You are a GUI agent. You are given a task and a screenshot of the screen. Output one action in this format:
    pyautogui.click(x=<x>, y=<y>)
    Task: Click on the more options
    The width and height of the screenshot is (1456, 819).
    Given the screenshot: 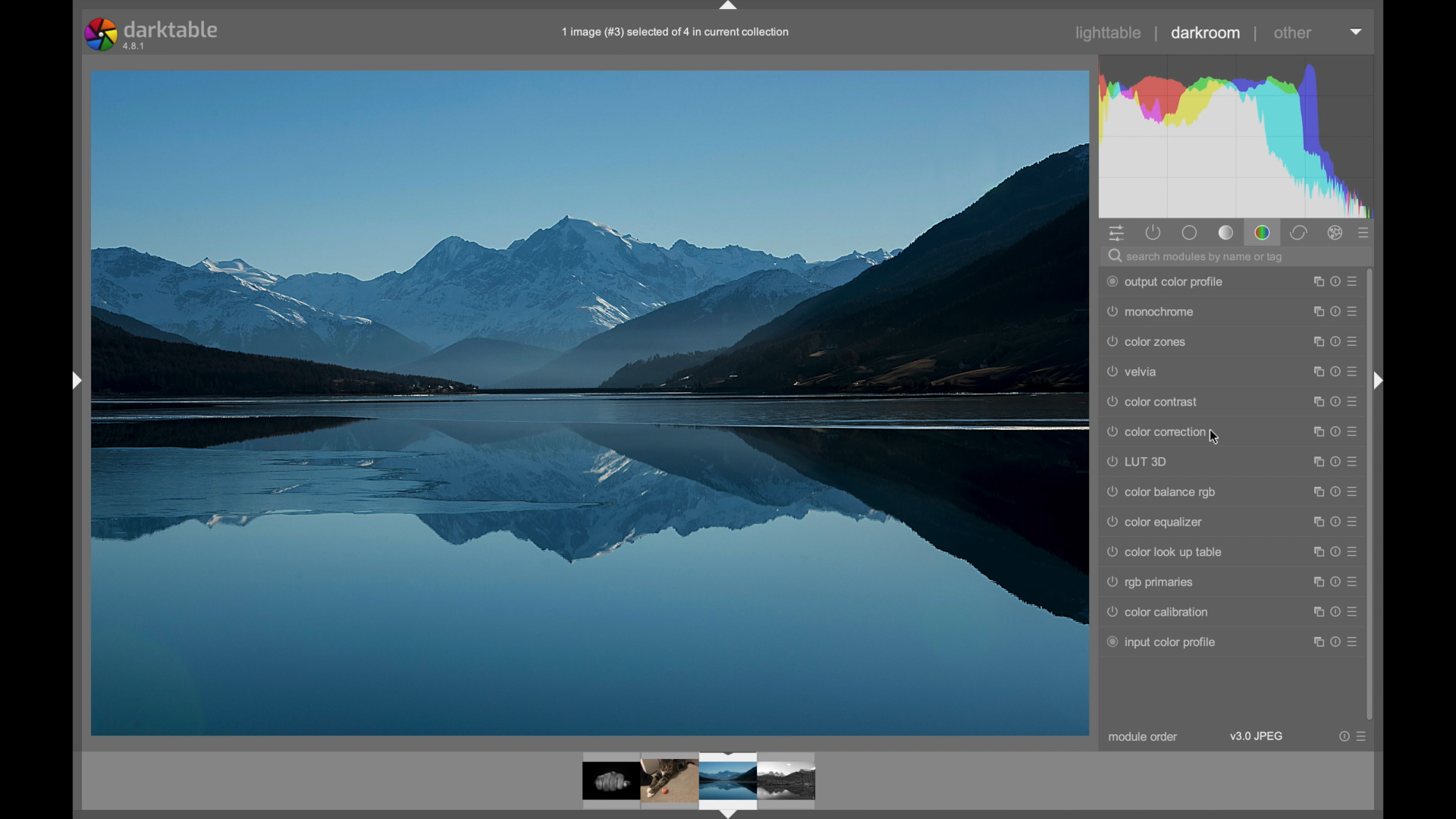 What is the action you would take?
    pyautogui.click(x=1336, y=612)
    